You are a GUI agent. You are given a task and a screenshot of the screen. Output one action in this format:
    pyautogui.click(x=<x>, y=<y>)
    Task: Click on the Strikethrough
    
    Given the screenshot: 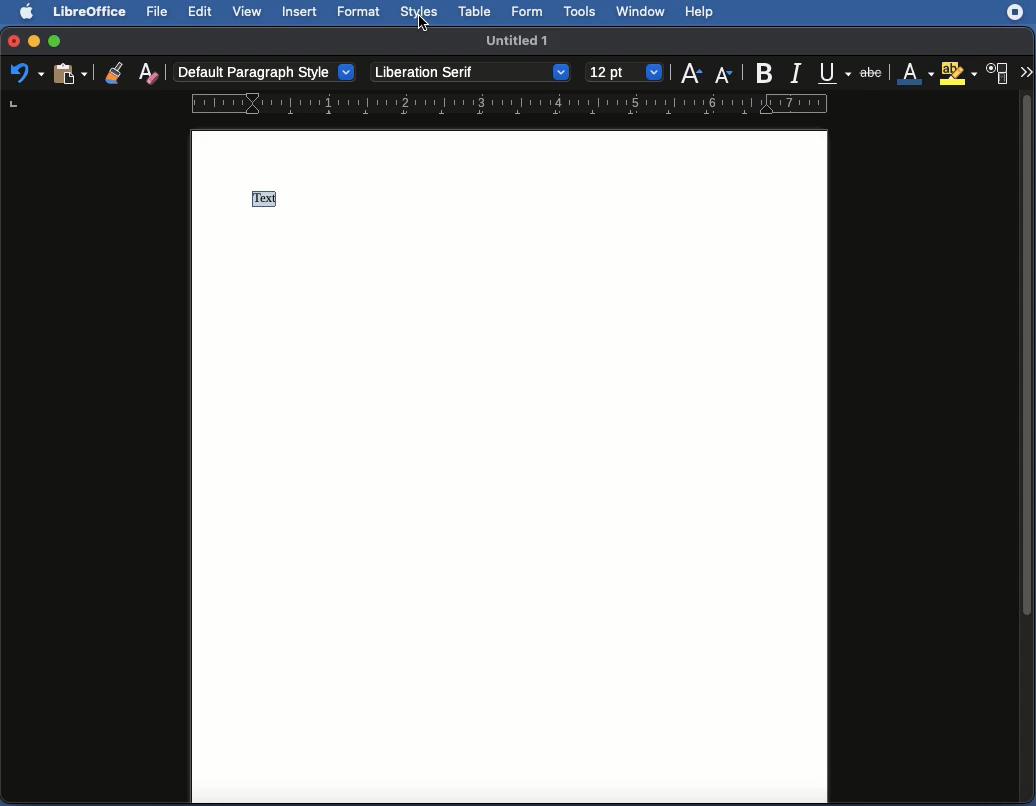 What is the action you would take?
    pyautogui.click(x=872, y=72)
    